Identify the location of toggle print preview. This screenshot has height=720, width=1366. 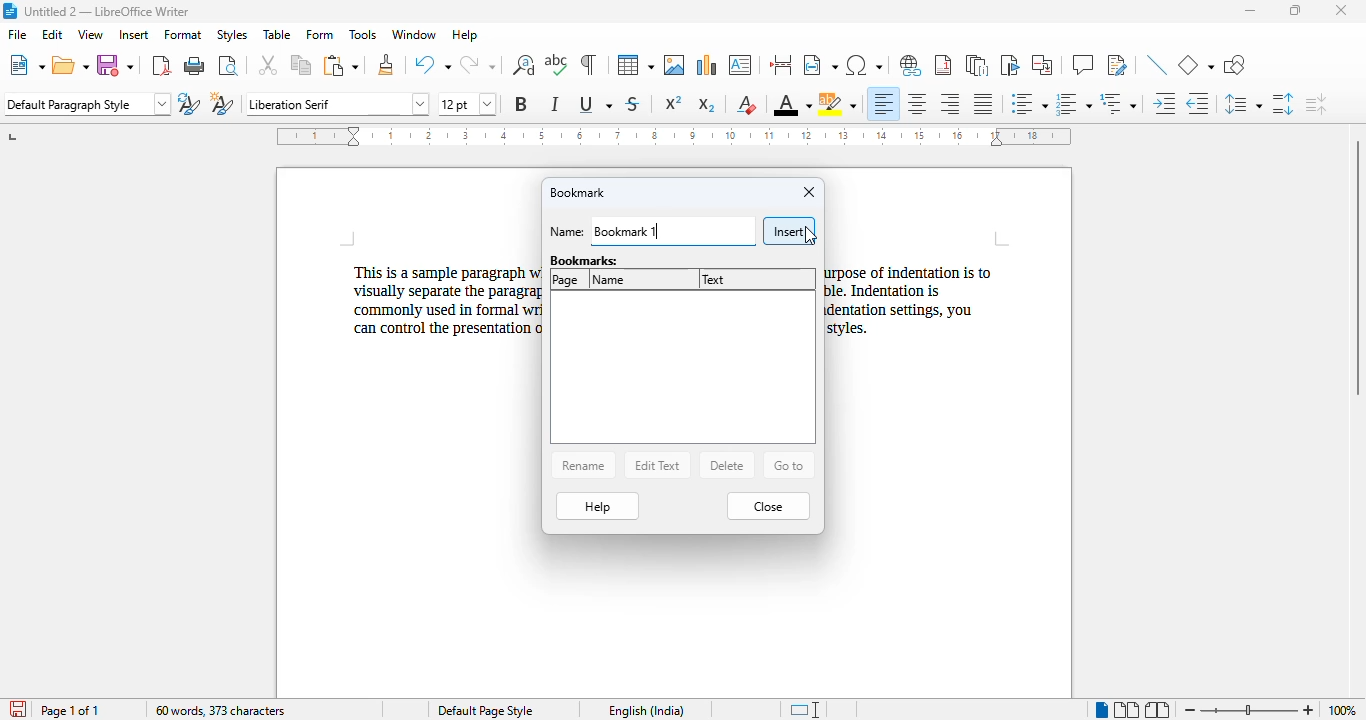
(229, 65).